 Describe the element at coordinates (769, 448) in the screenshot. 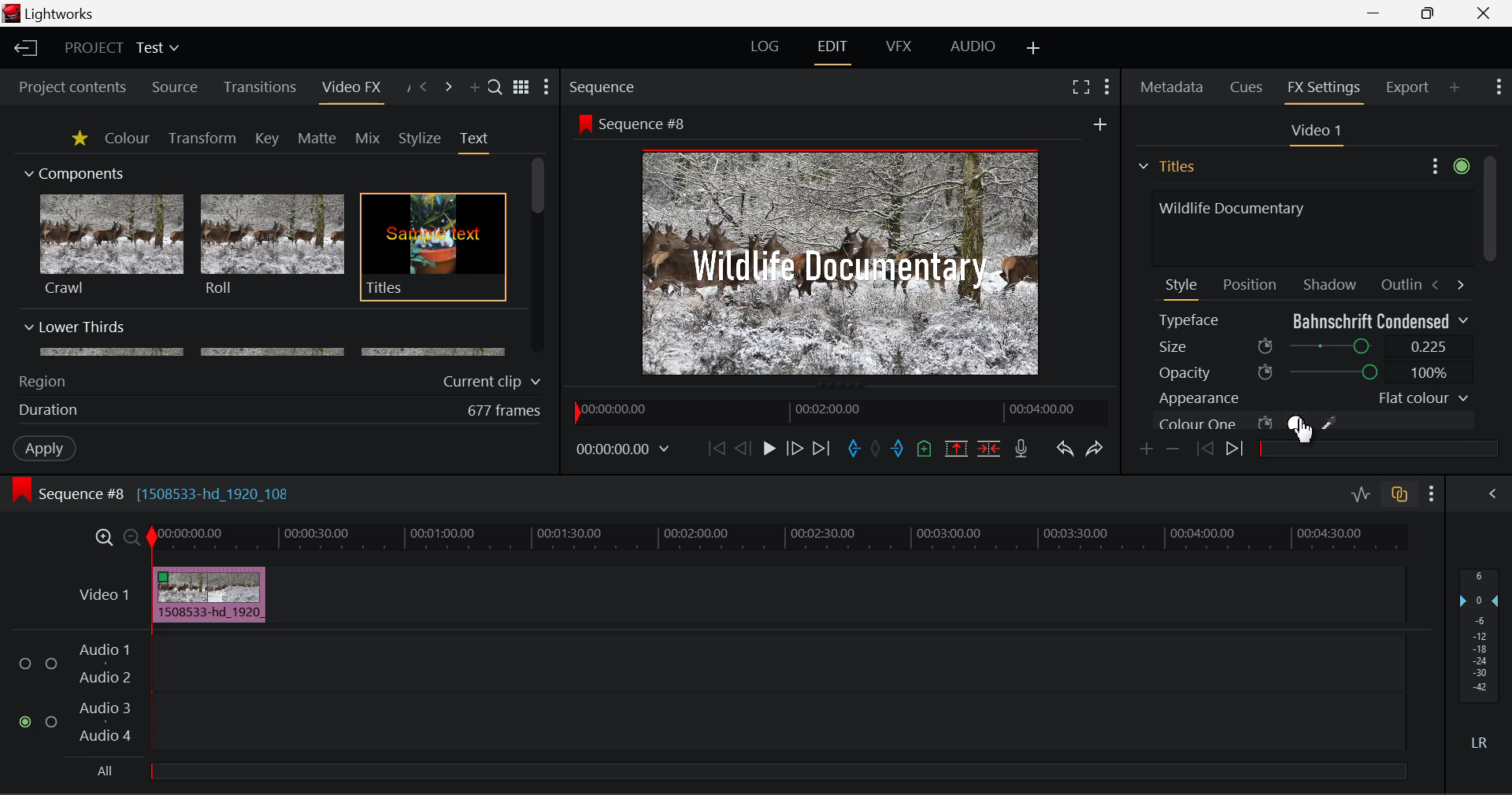

I see `Play` at that location.